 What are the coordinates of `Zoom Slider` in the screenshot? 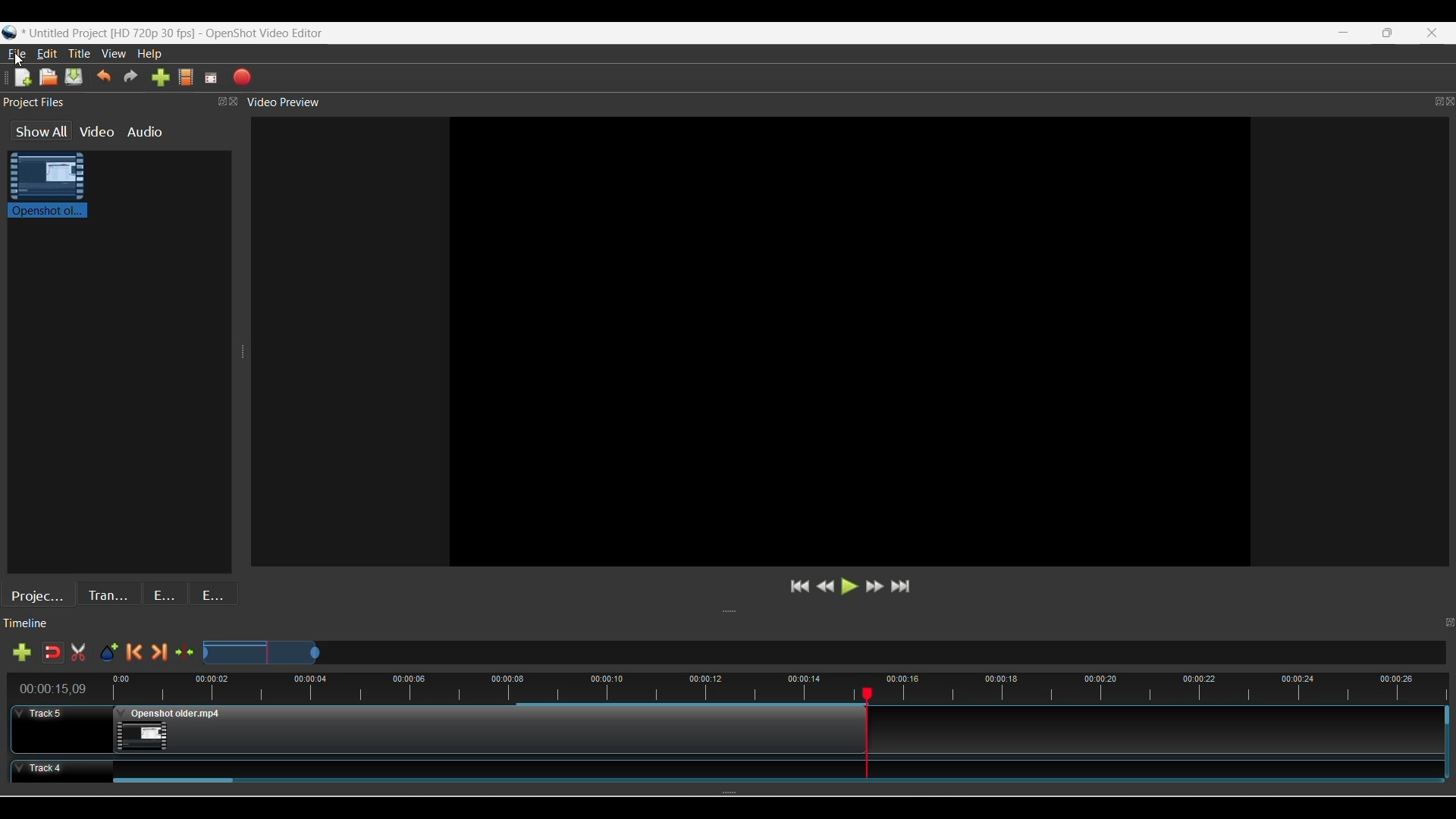 It's located at (823, 653).